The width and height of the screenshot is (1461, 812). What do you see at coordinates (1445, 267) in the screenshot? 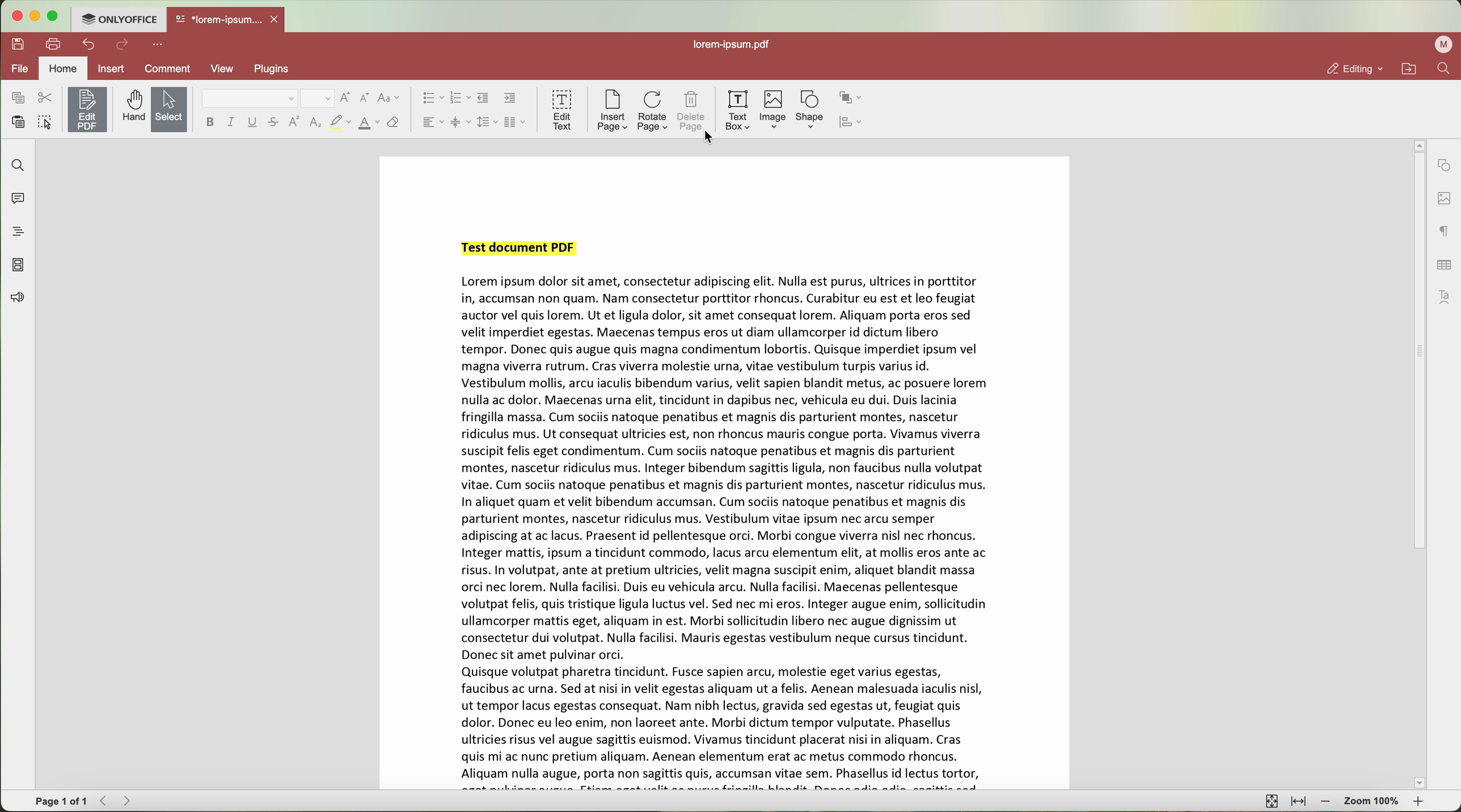
I see `table settings` at bounding box center [1445, 267].